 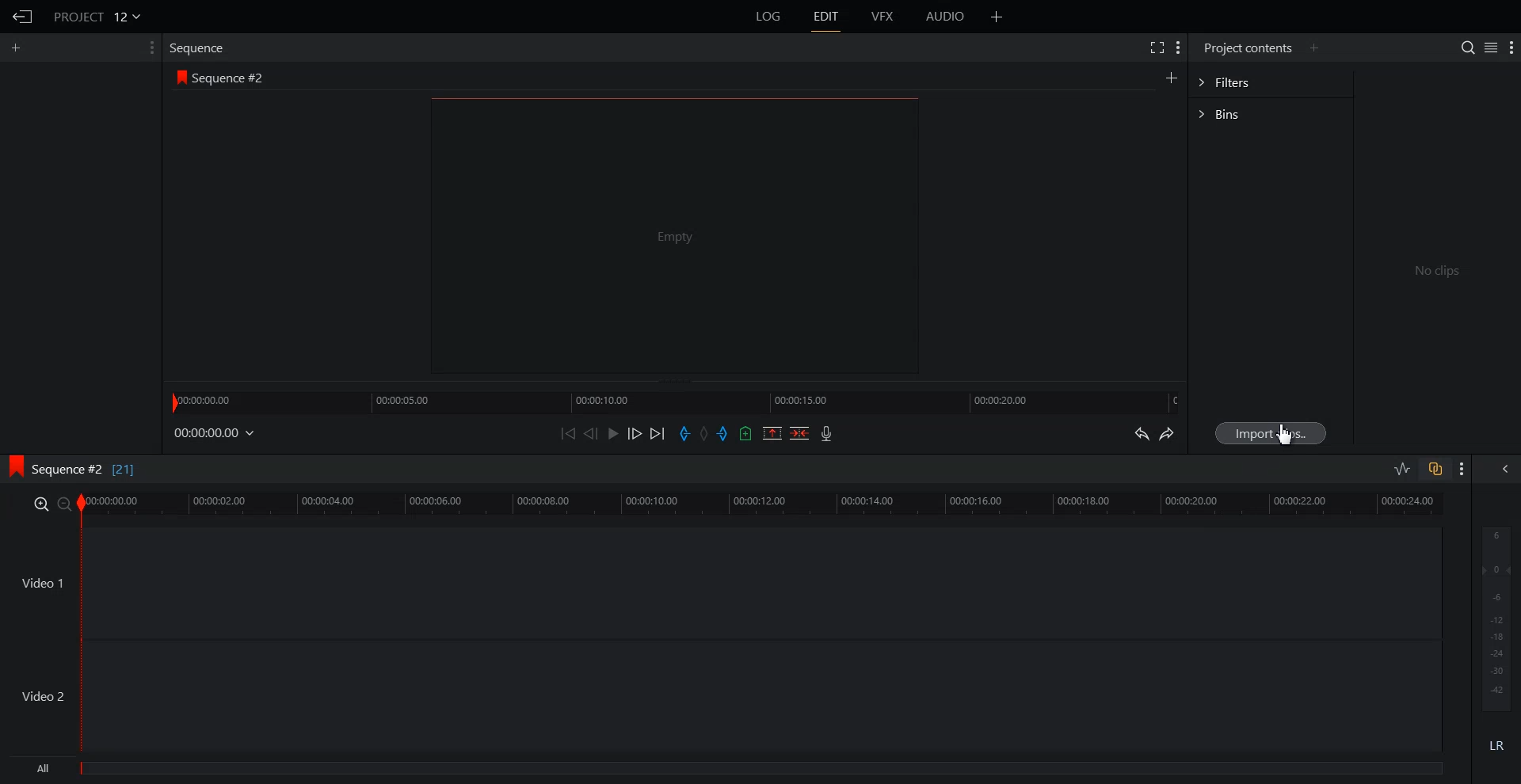 What do you see at coordinates (19, 47) in the screenshot?
I see `Add Panel` at bounding box center [19, 47].